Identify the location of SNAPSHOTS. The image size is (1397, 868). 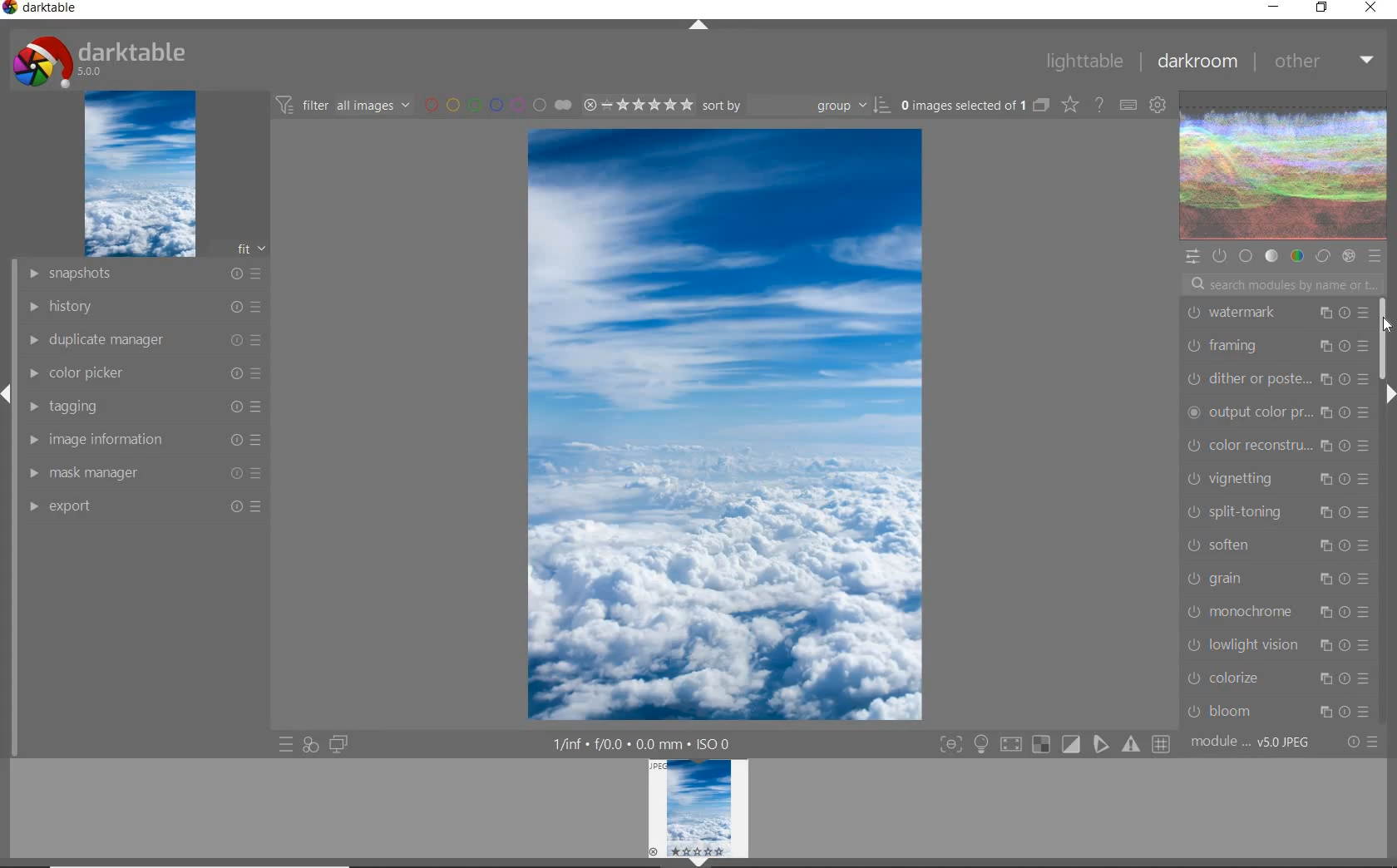
(146, 274).